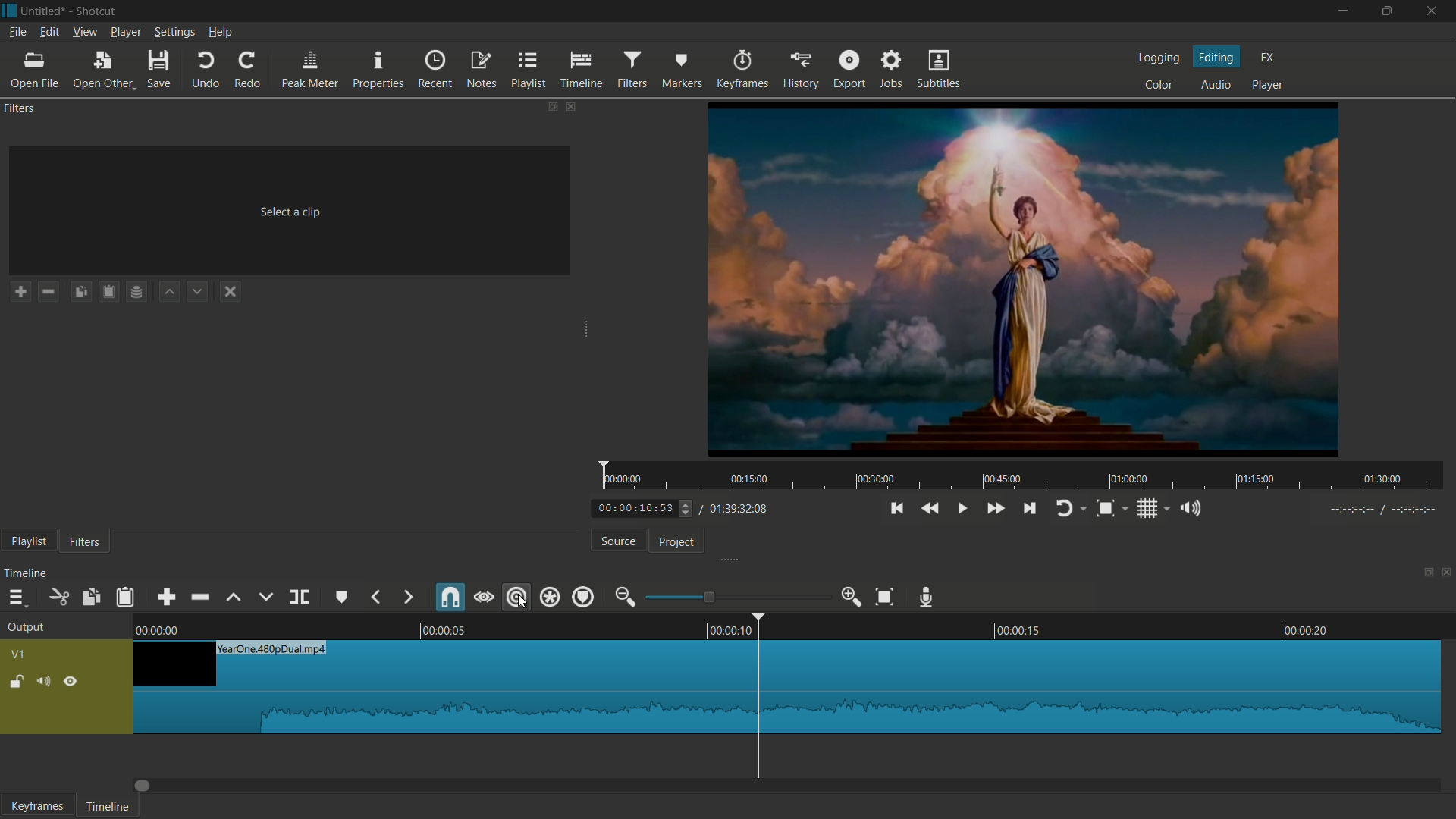 The image size is (1456, 819). What do you see at coordinates (248, 70) in the screenshot?
I see `redo` at bounding box center [248, 70].